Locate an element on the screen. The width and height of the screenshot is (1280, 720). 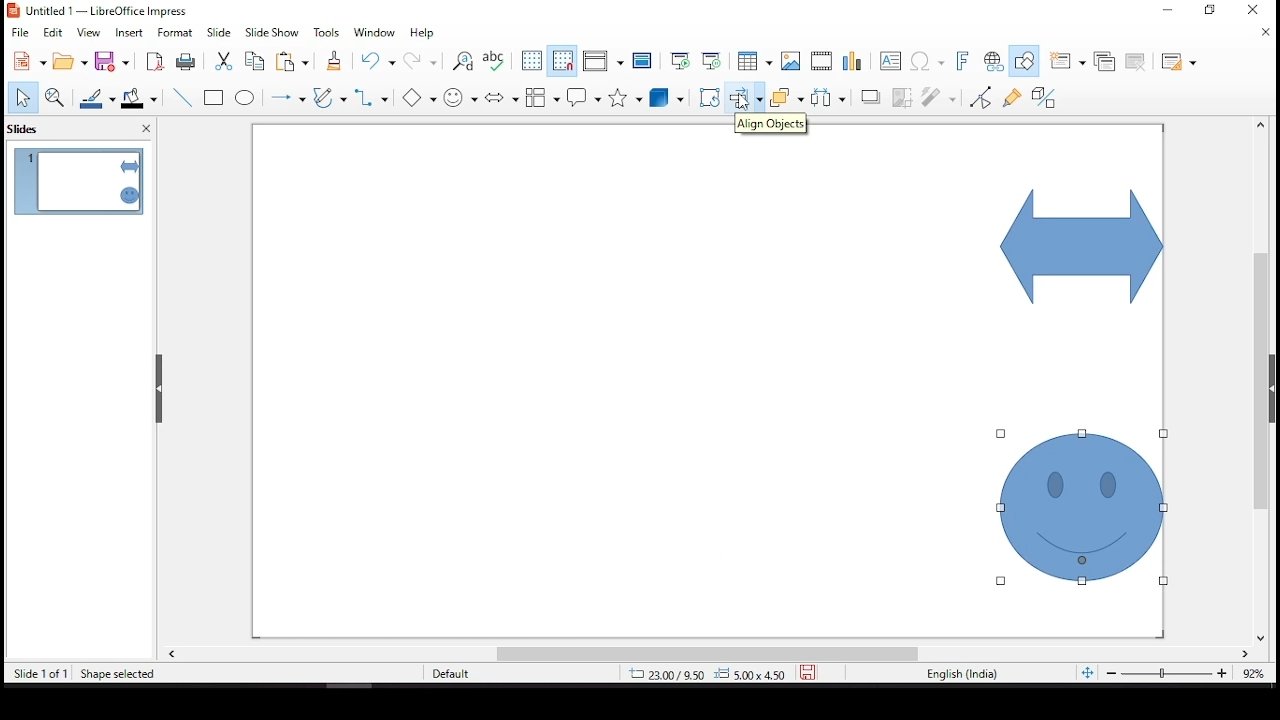
export as pdf is located at coordinates (154, 62).